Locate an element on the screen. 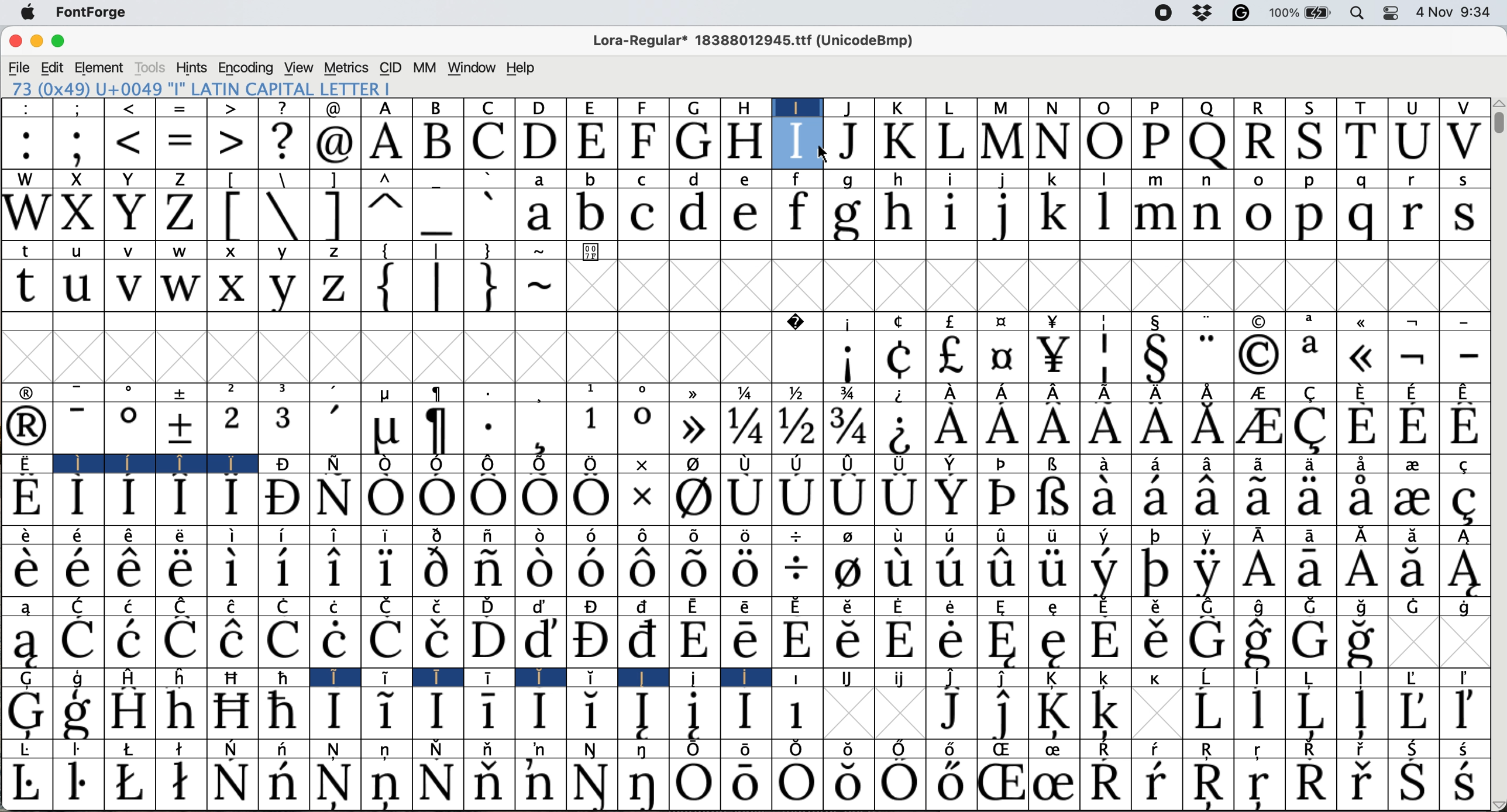 This screenshot has height=812, width=1507. Symbol is located at coordinates (949, 357).